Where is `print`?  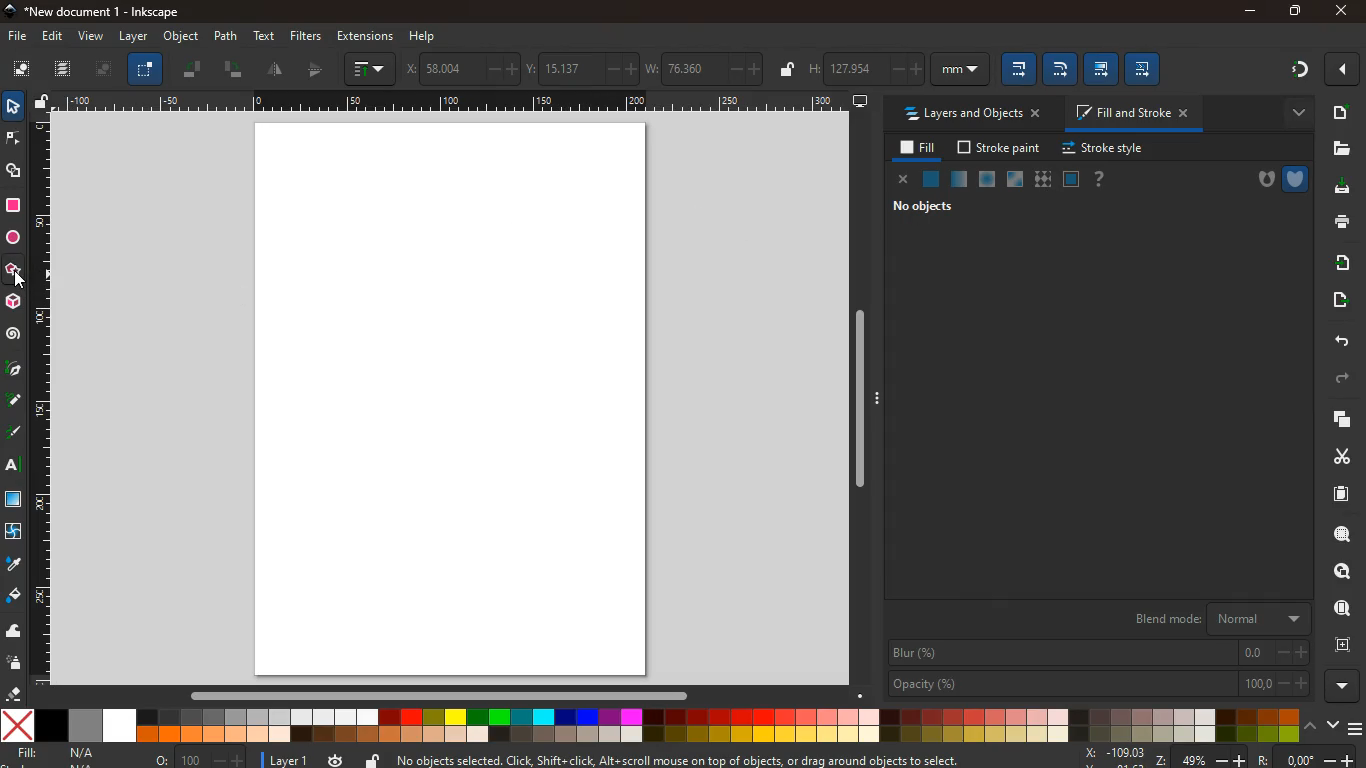 print is located at coordinates (1338, 224).